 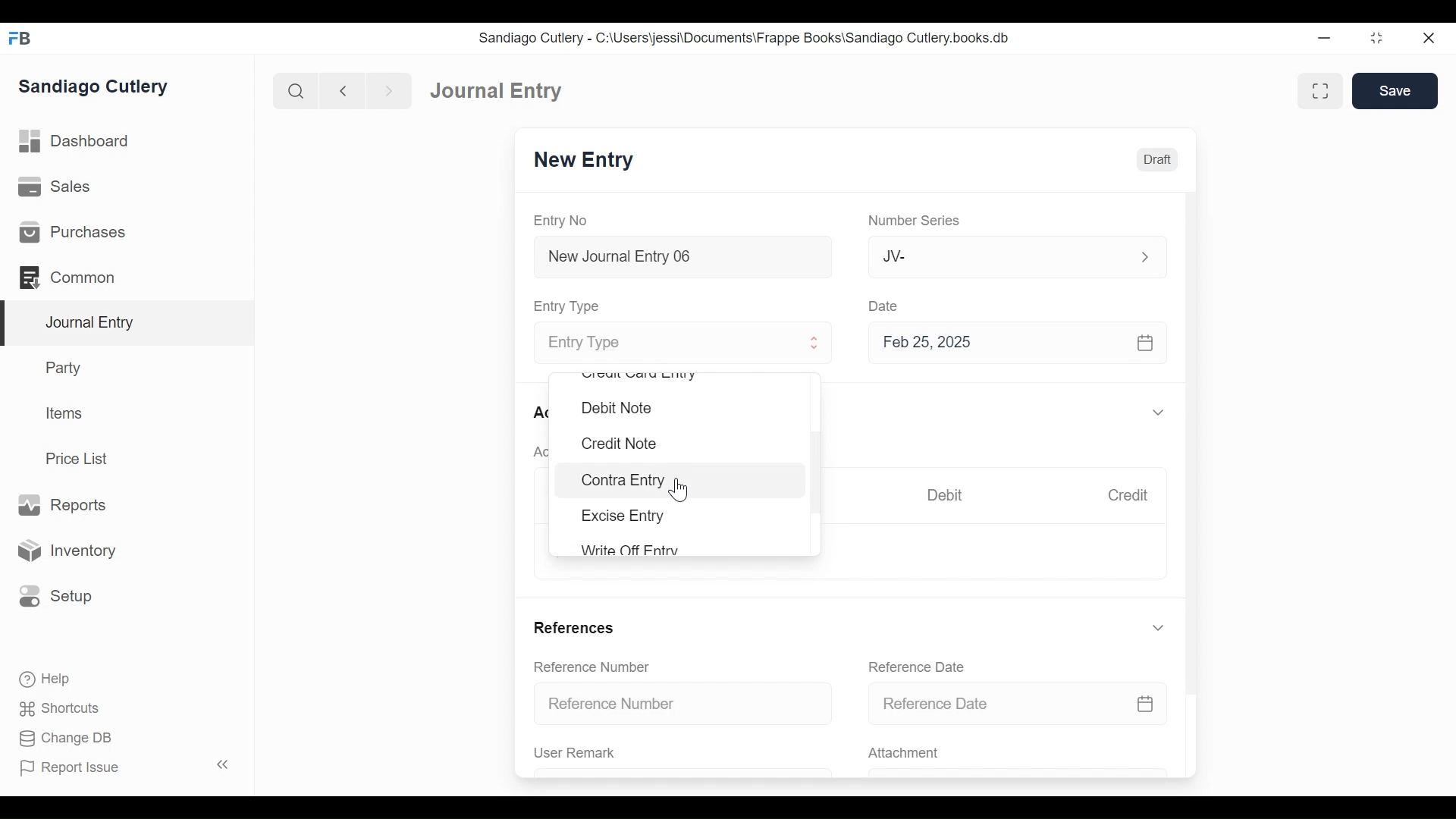 What do you see at coordinates (64, 551) in the screenshot?
I see `Inventory` at bounding box center [64, 551].